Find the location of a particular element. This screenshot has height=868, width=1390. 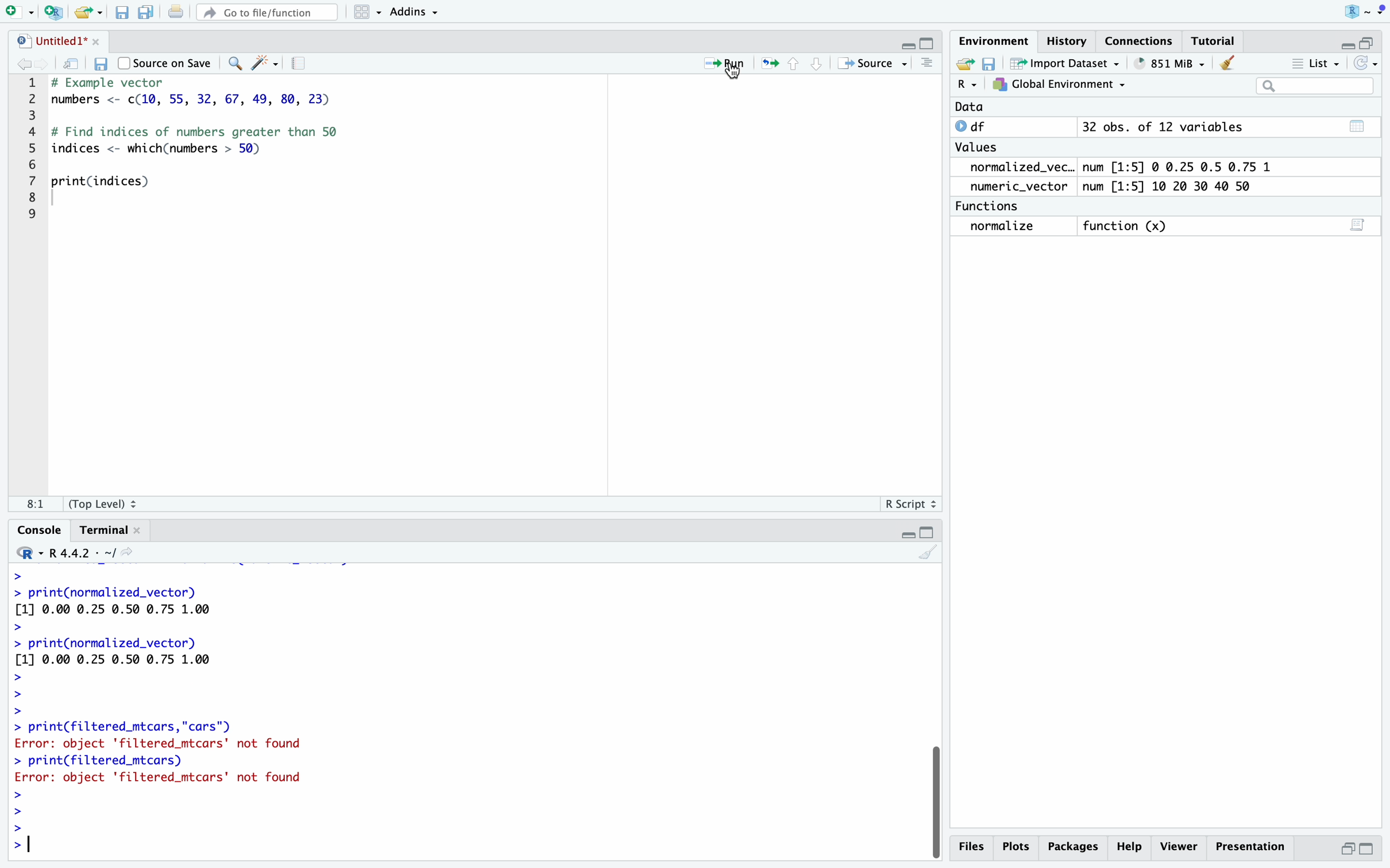

Source on Save is located at coordinates (166, 63).